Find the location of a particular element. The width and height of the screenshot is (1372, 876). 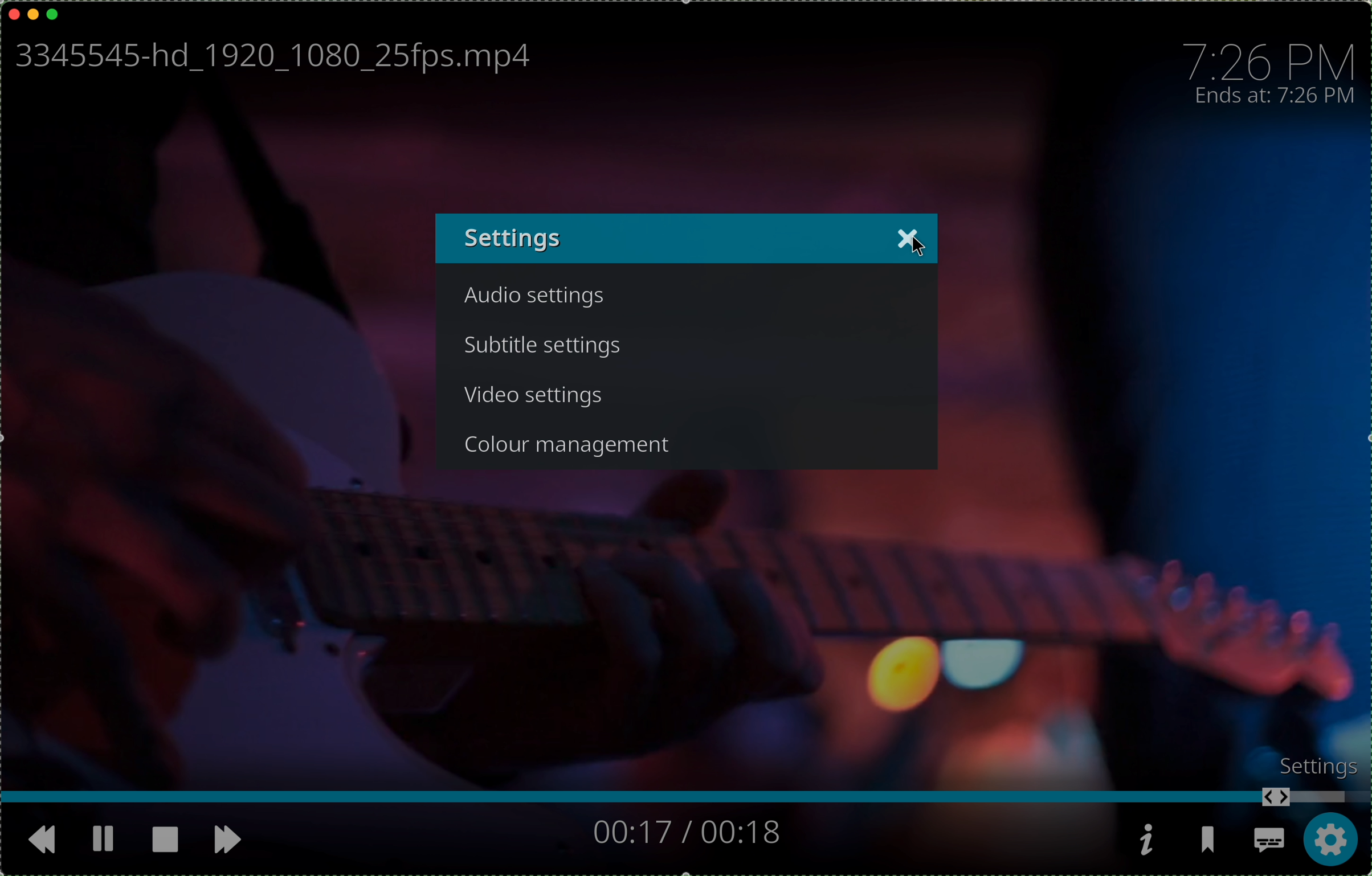

subtitles is located at coordinates (1269, 843).